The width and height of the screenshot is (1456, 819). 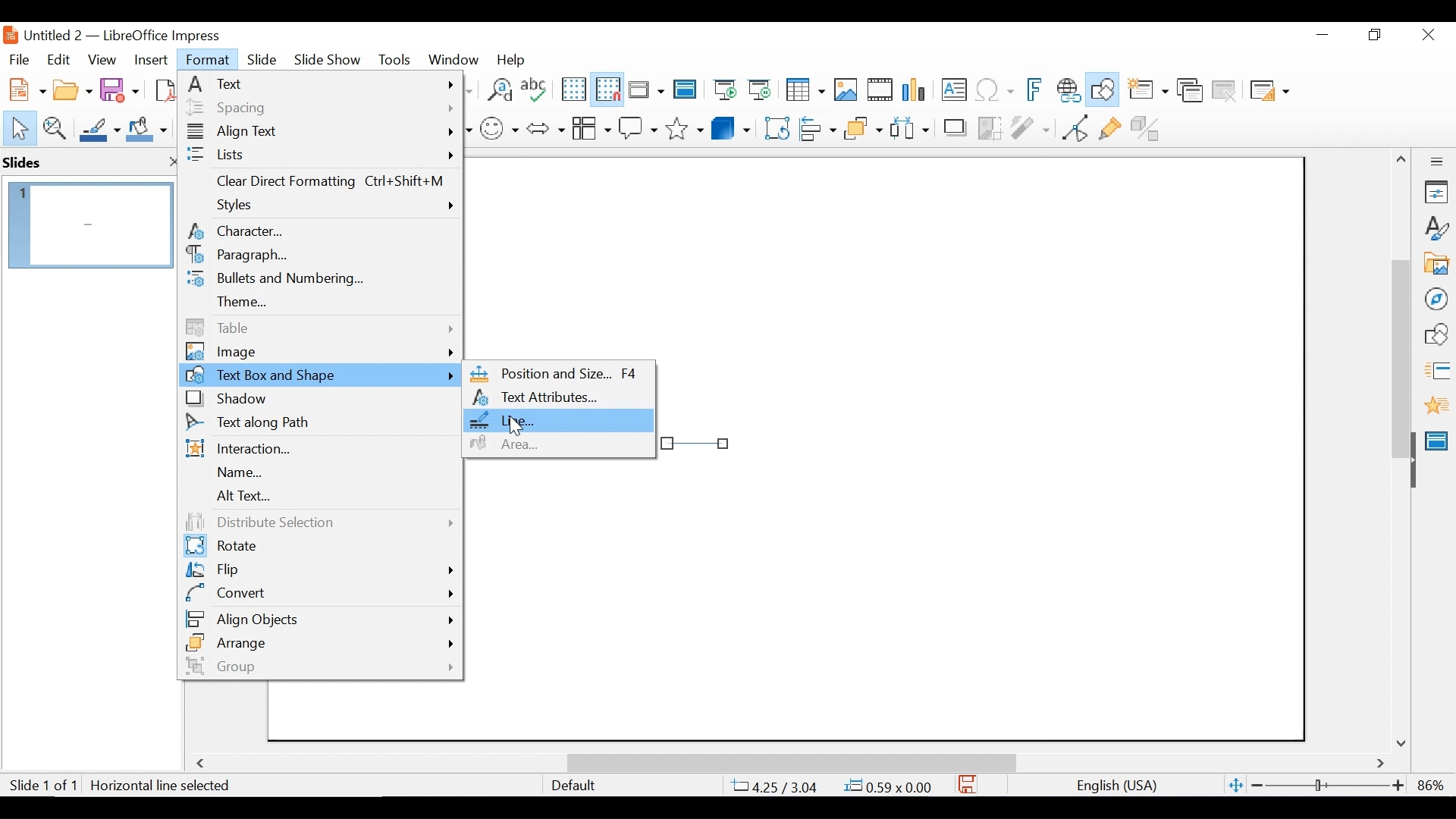 What do you see at coordinates (1190, 91) in the screenshot?
I see `Duplicate slide` at bounding box center [1190, 91].